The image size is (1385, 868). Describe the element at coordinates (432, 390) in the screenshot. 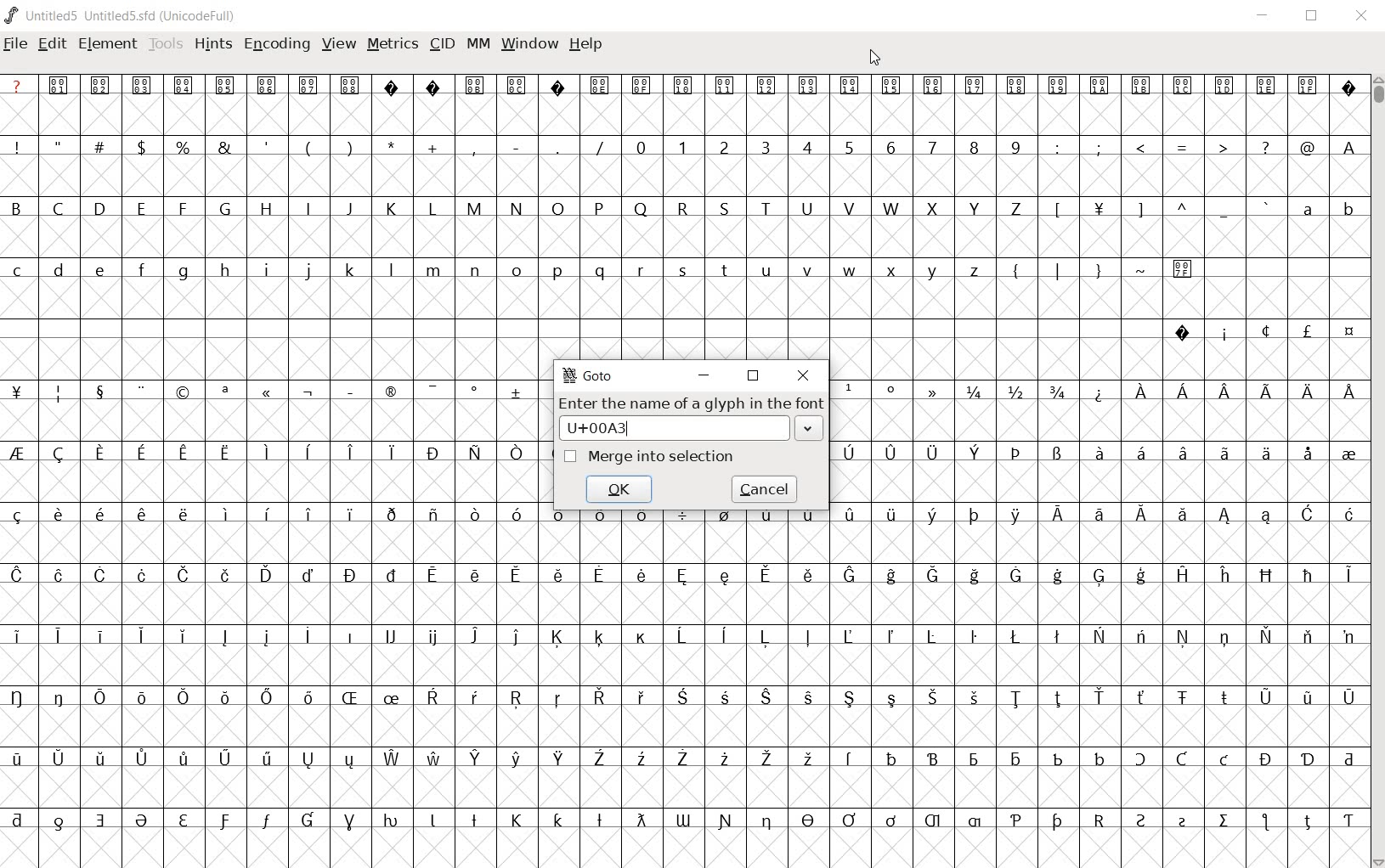

I see `Symbol` at that location.